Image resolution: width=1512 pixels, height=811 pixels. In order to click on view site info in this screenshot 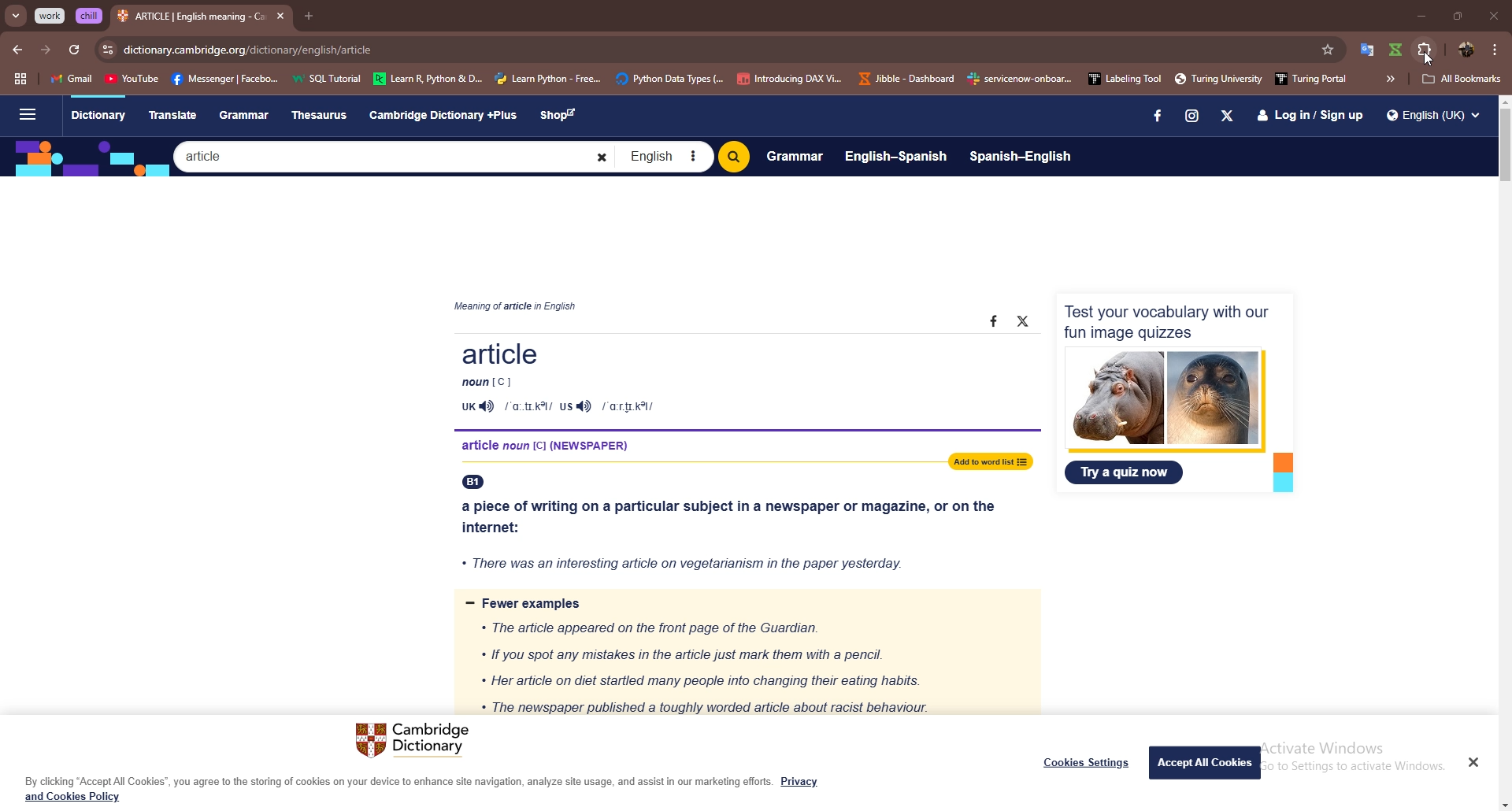, I will do `click(108, 50)`.